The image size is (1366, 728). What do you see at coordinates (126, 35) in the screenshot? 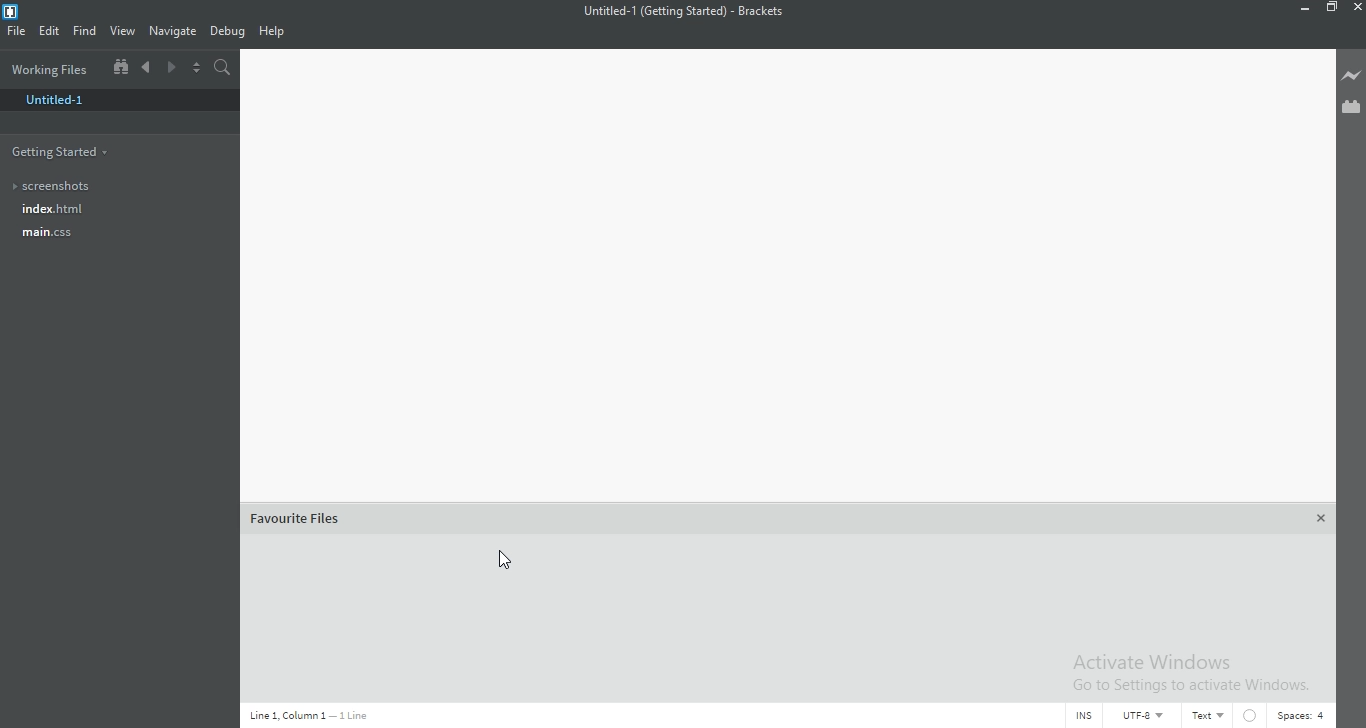
I see `View` at bounding box center [126, 35].